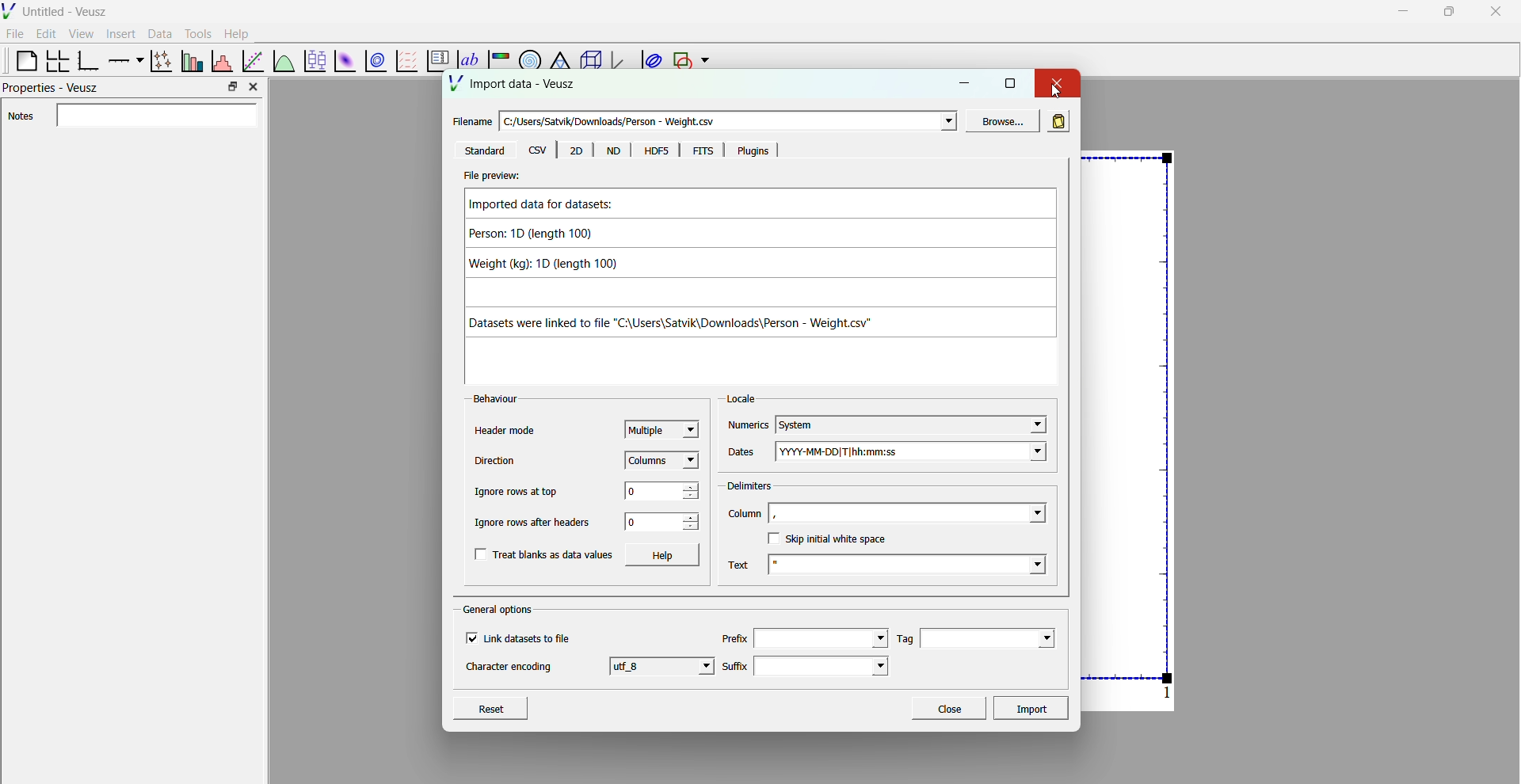 This screenshot has height=784, width=1521. Describe the element at coordinates (507, 706) in the screenshot. I see `Reset` at that location.